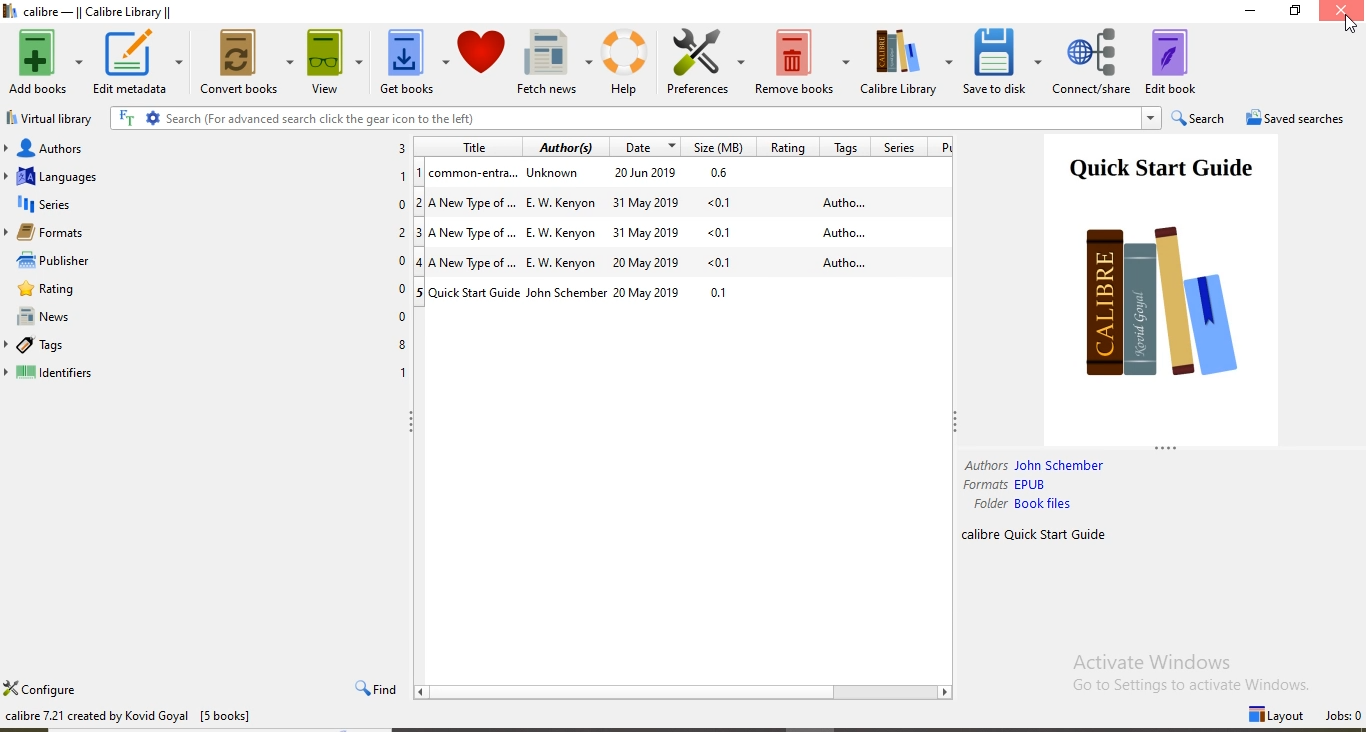 The image size is (1366, 732). I want to click on John Schember, so click(565, 292).